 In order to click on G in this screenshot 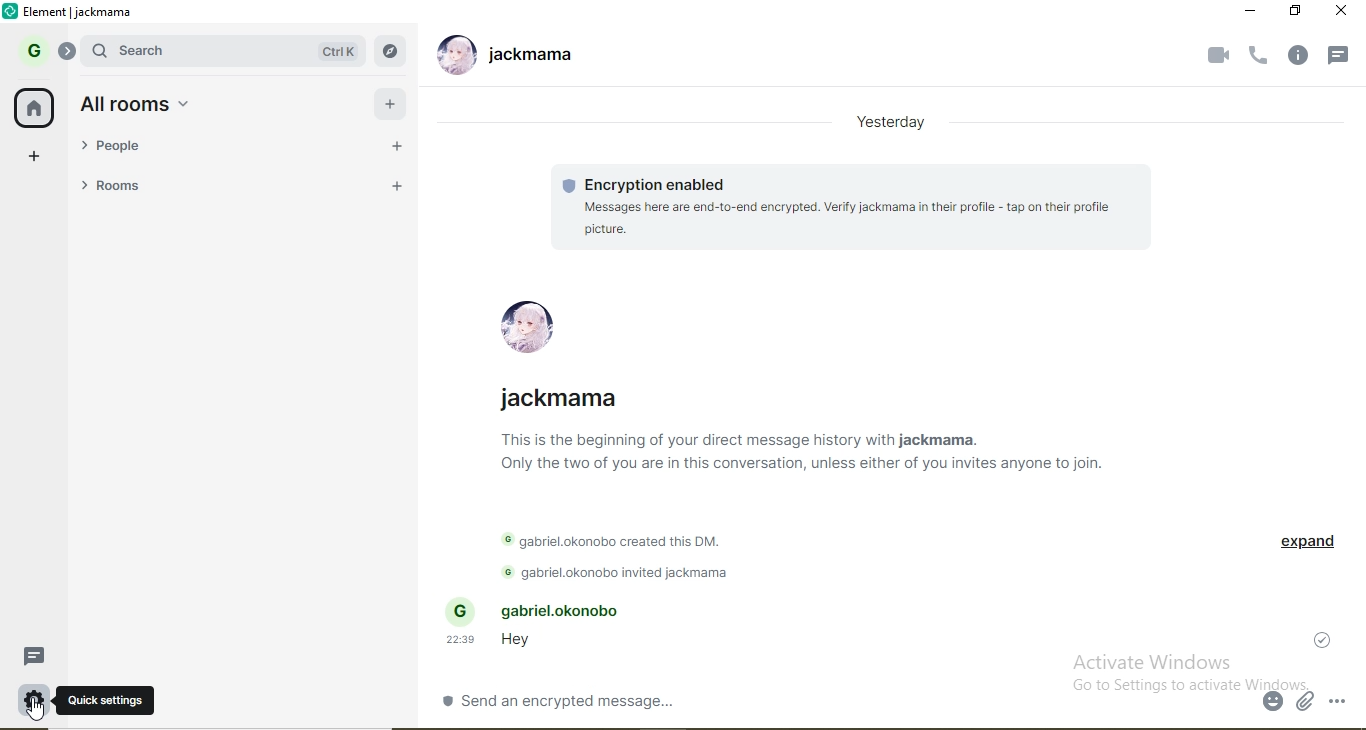, I will do `click(30, 52)`.